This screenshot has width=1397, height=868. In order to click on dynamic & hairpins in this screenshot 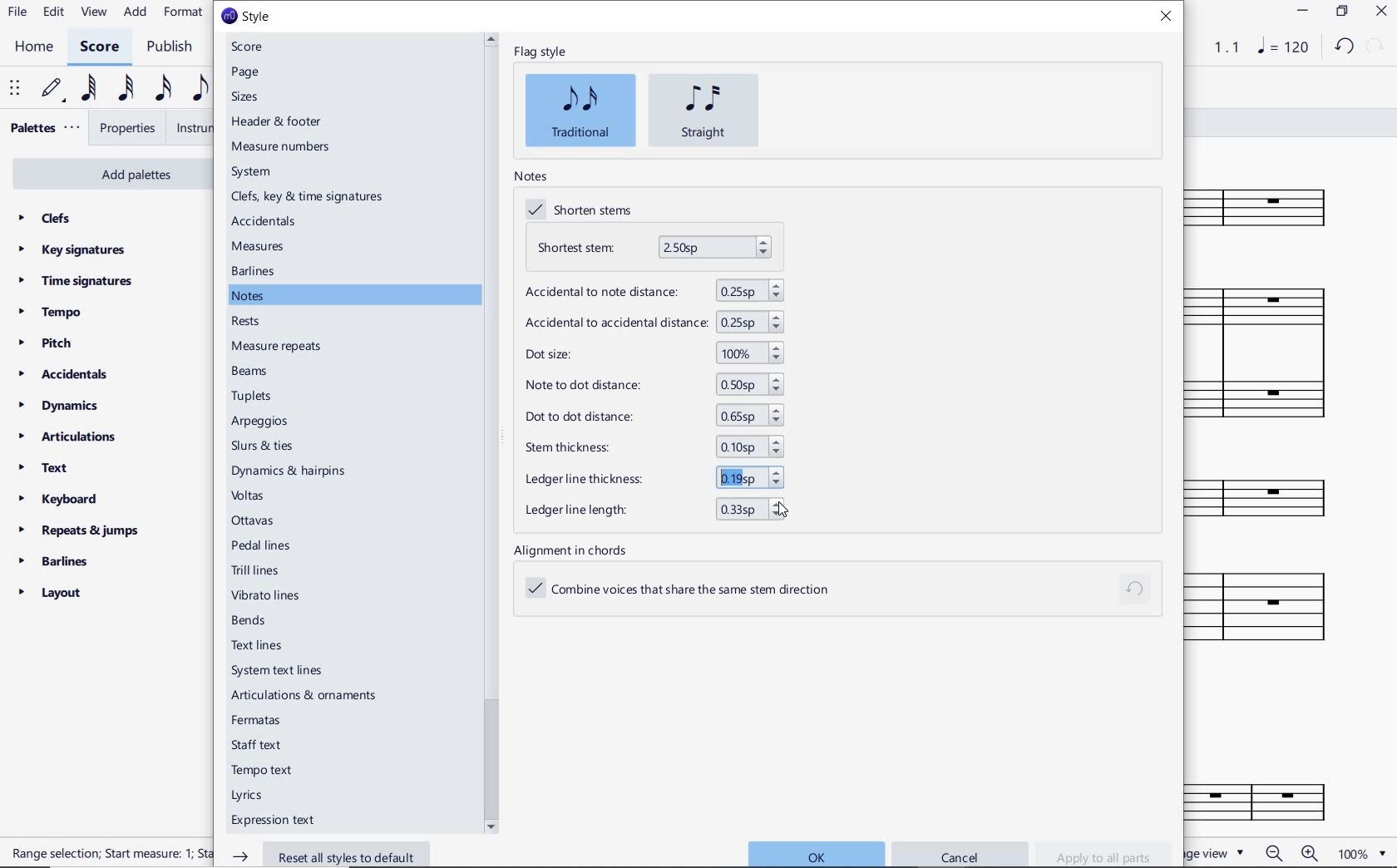, I will do `click(291, 471)`.